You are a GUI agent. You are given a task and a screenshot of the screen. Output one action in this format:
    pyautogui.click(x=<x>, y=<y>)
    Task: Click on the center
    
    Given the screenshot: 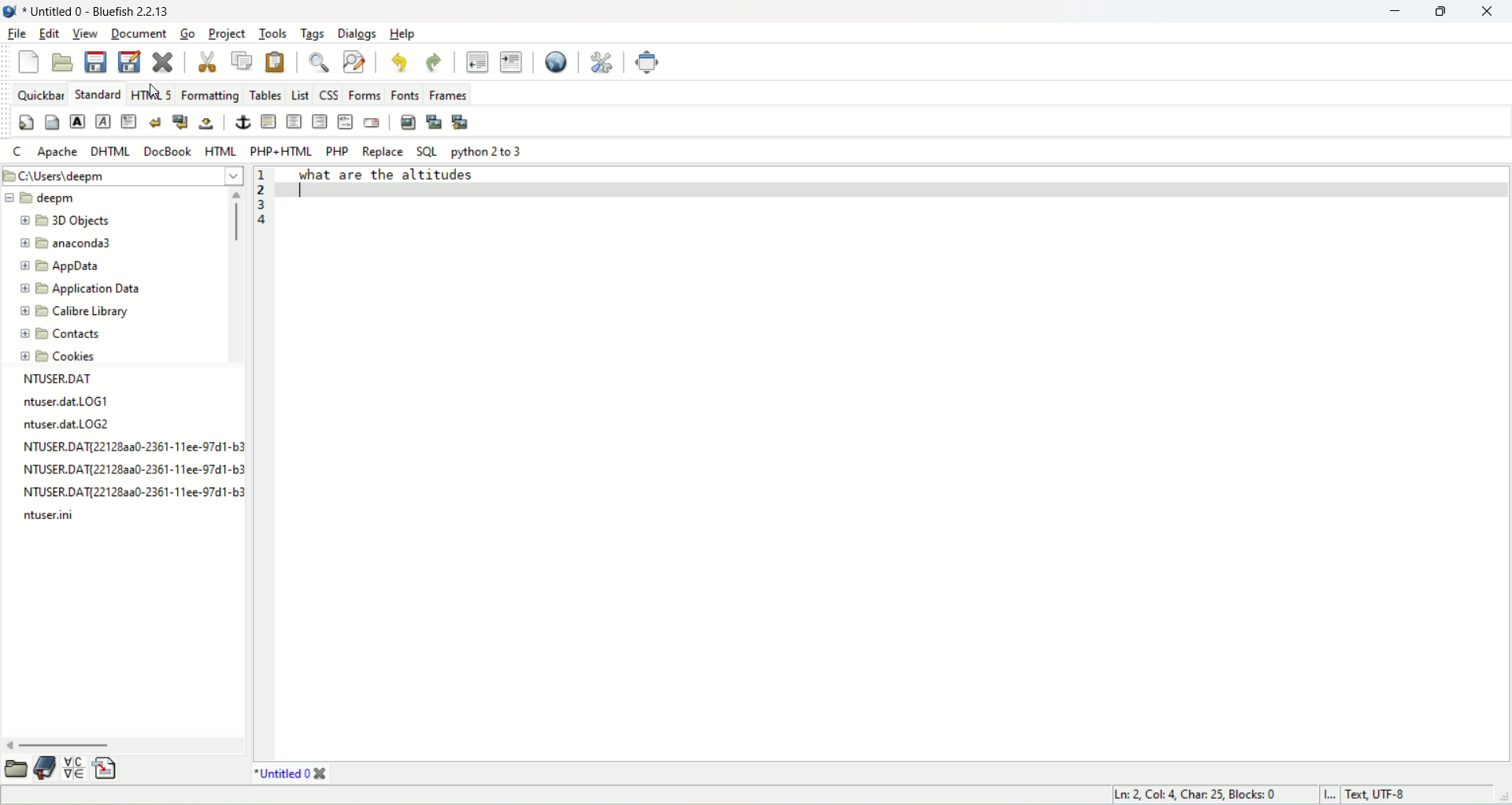 What is the action you would take?
    pyautogui.click(x=293, y=122)
    